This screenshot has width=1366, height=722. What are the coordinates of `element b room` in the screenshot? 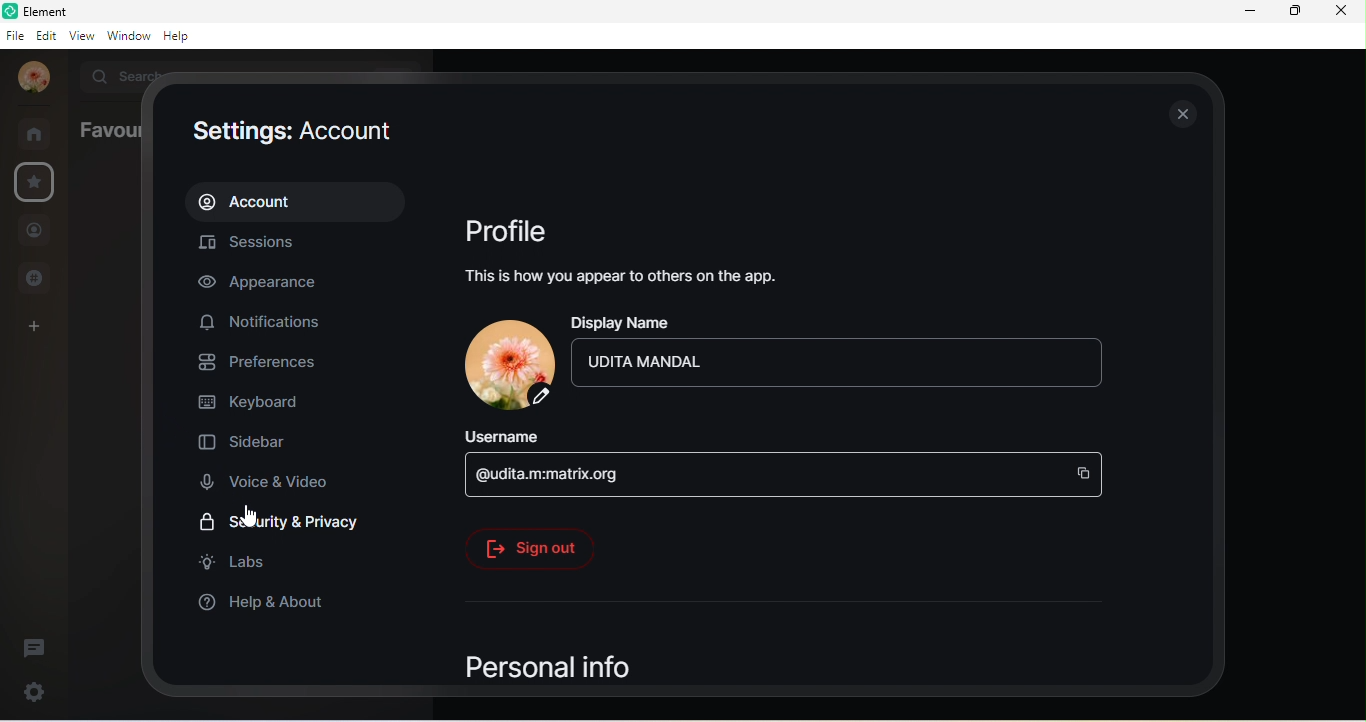 It's located at (71, 10).